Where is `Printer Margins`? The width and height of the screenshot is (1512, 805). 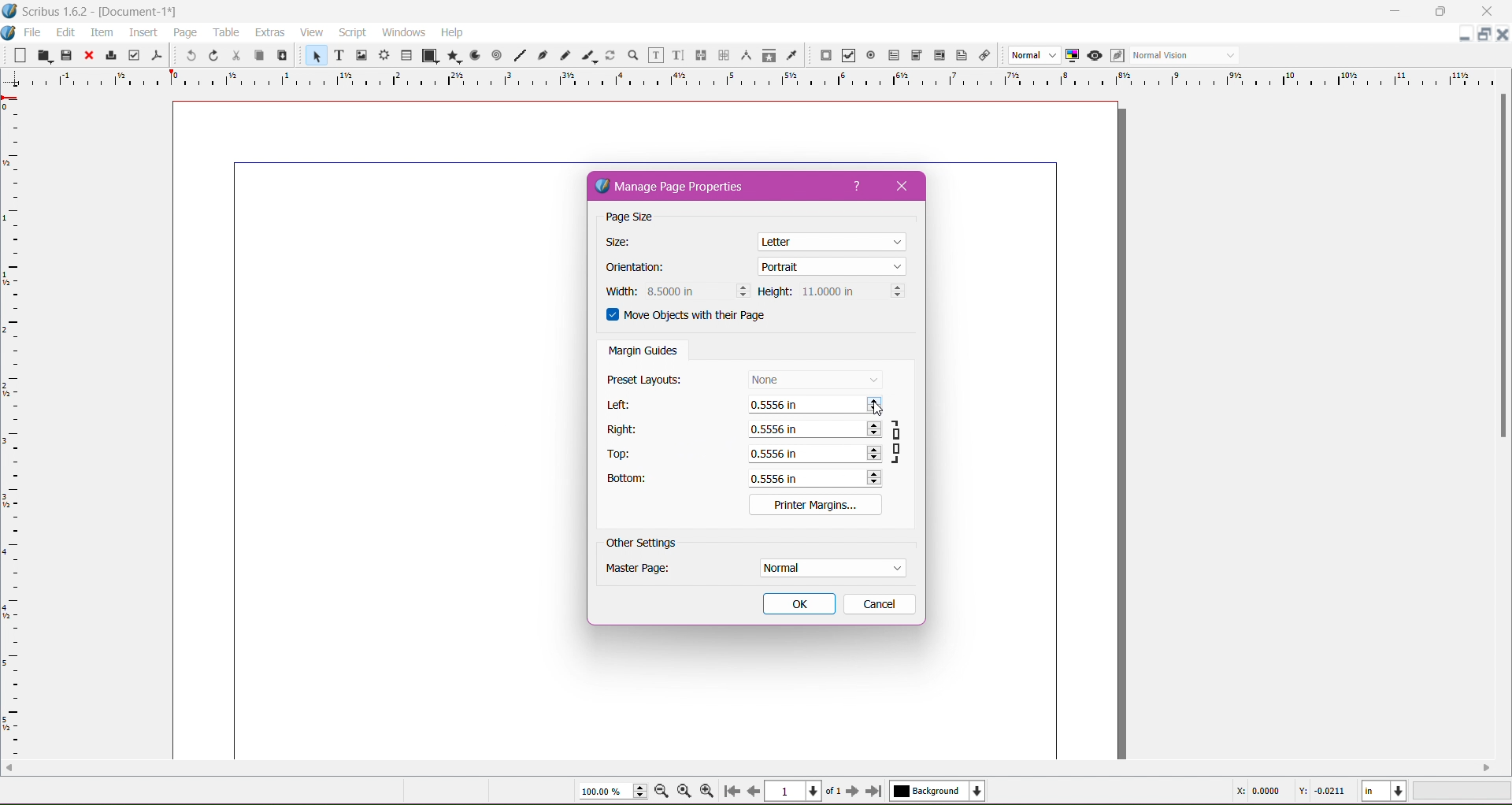
Printer Margins is located at coordinates (815, 504).